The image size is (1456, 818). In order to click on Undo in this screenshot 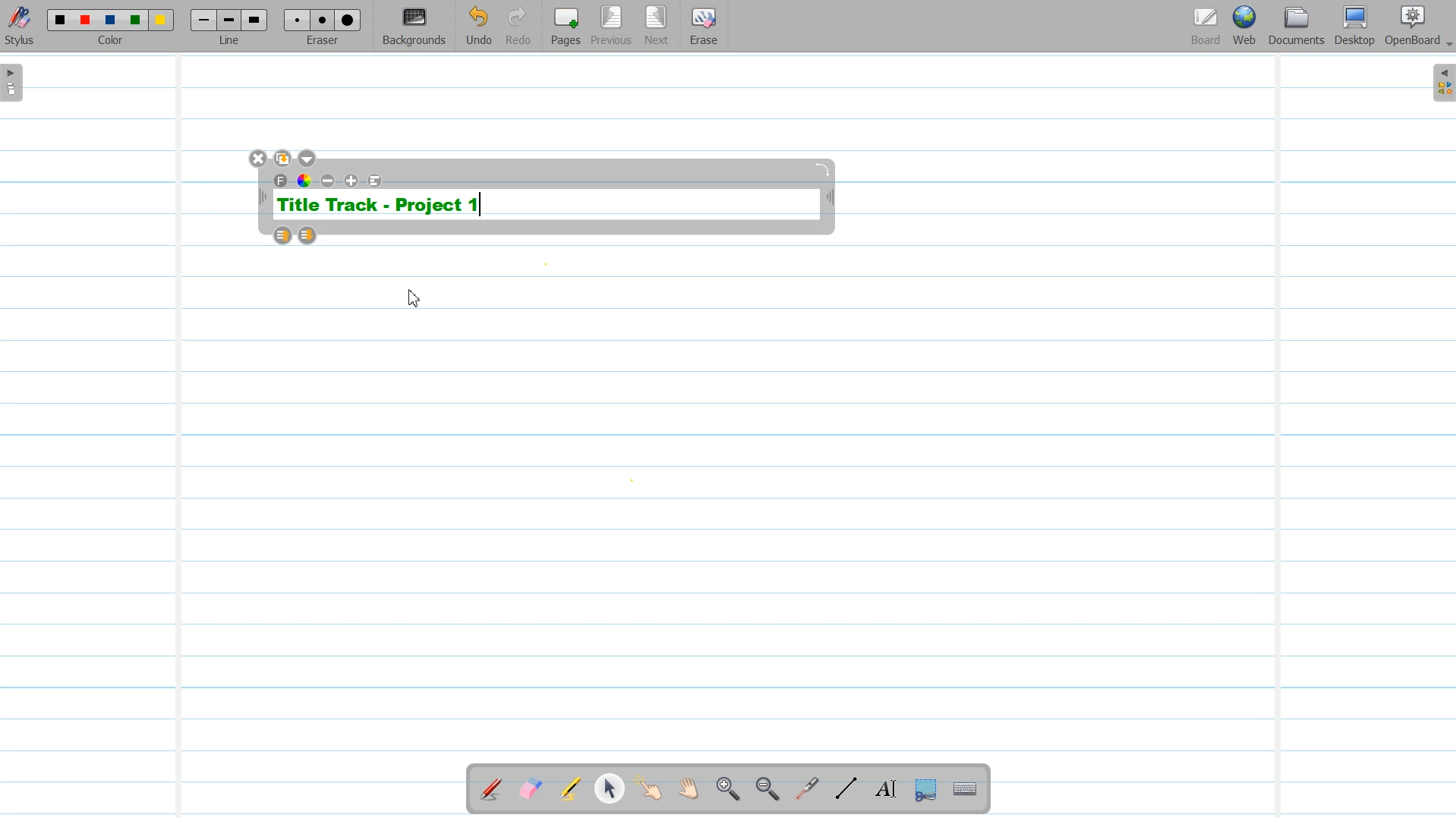, I will do `click(478, 27)`.